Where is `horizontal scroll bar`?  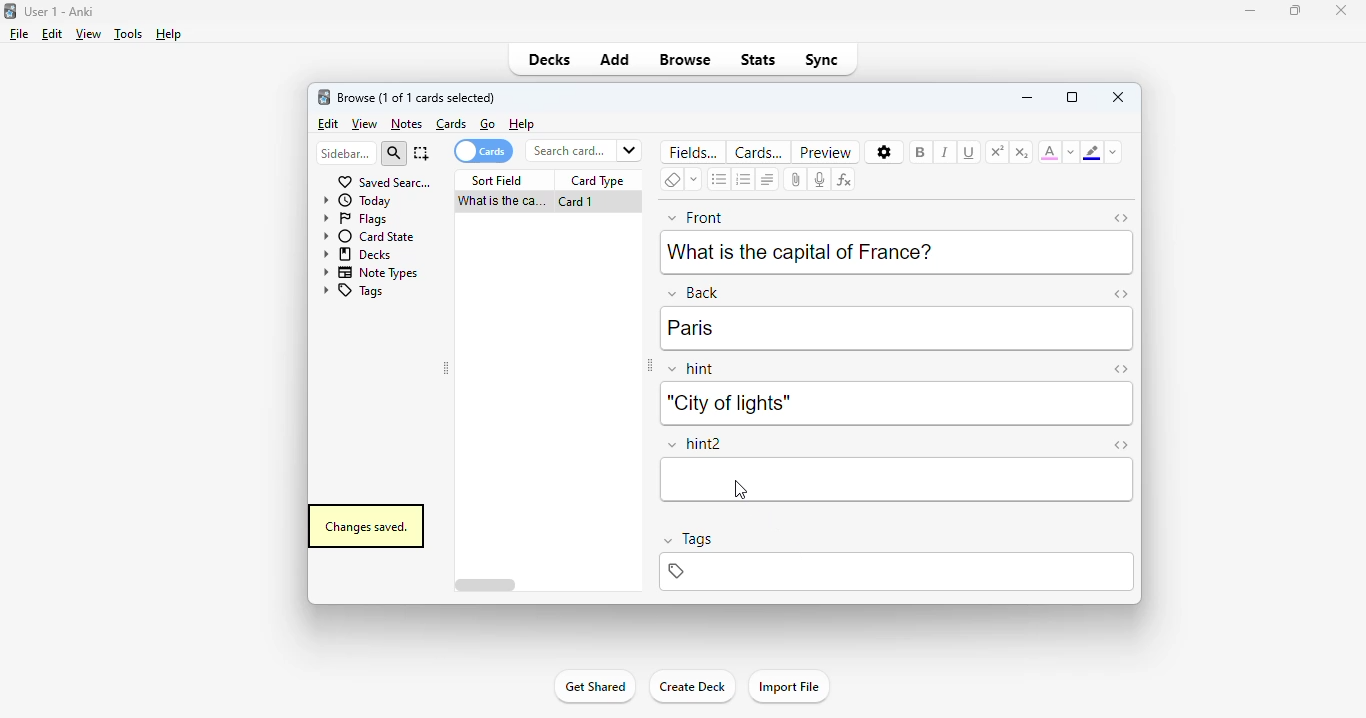 horizontal scroll bar is located at coordinates (488, 586).